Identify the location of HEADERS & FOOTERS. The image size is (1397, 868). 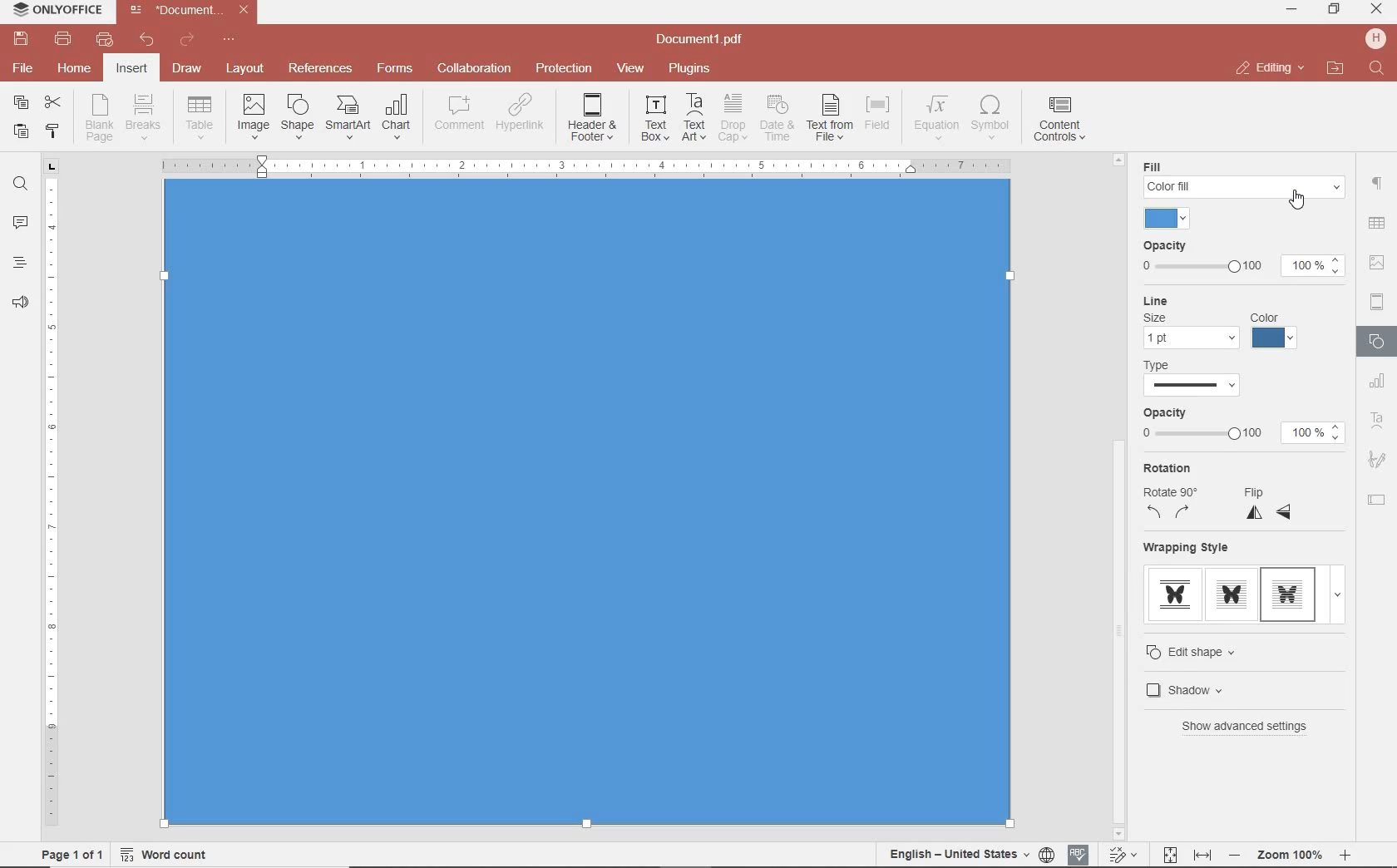
(1378, 303).